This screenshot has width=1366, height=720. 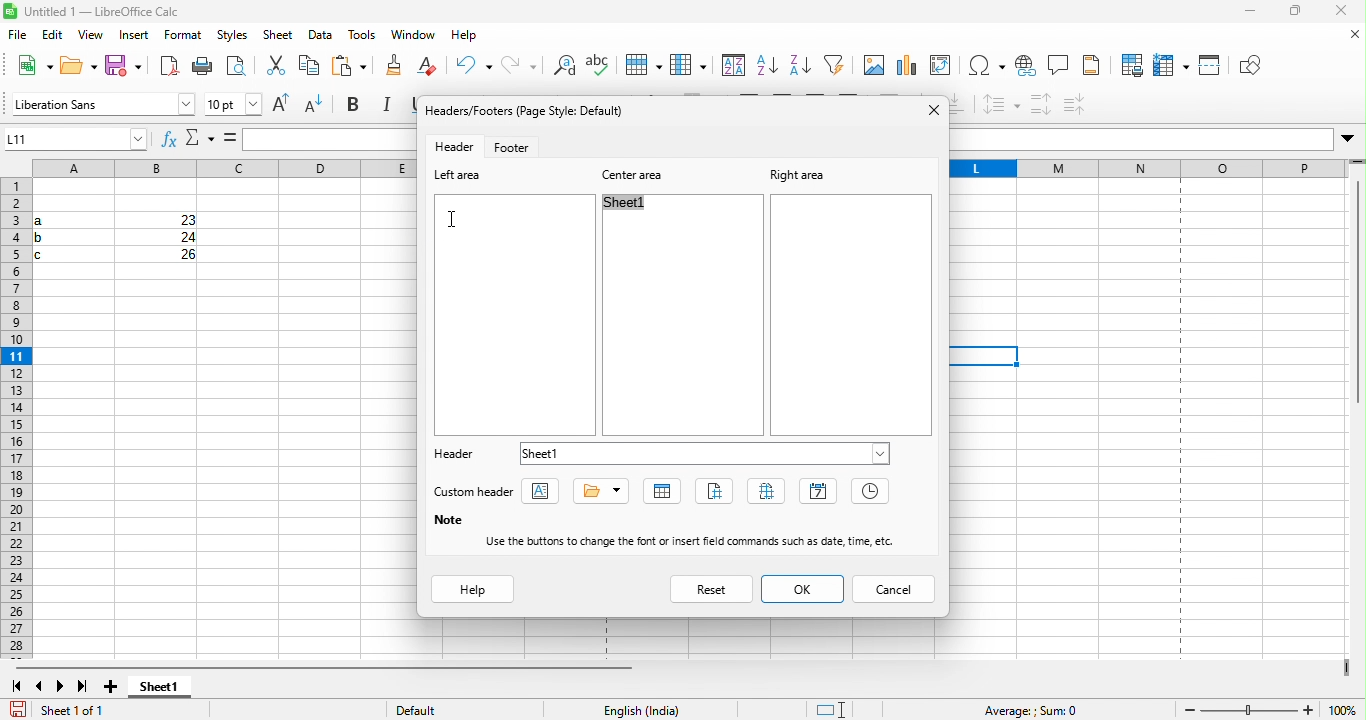 What do you see at coordinates (360, 38) in the screenshot?
I see `tools` at bounding box center [360, 38].